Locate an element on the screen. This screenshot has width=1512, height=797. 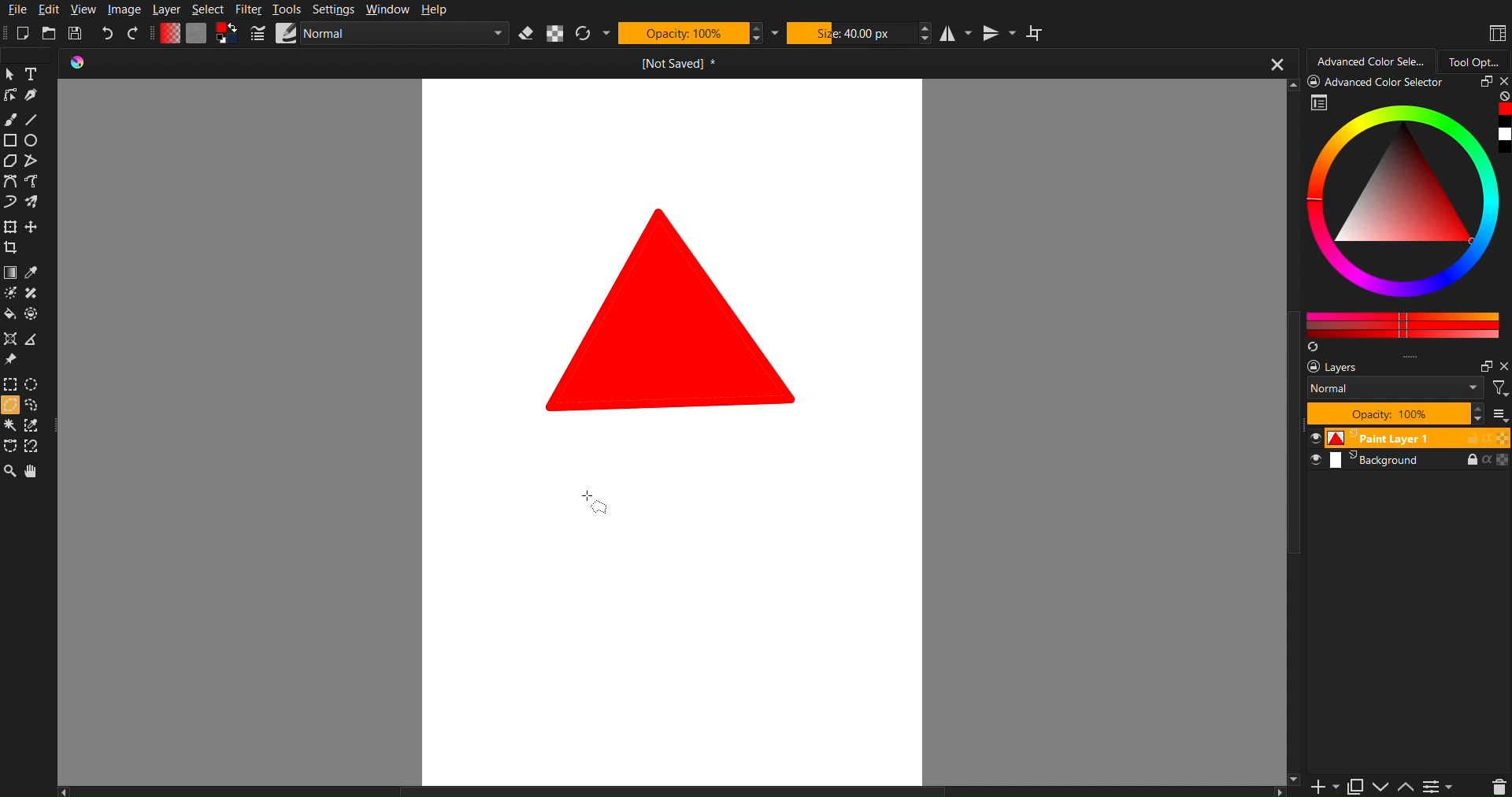
Paste is located at coordinates (1354, 784).